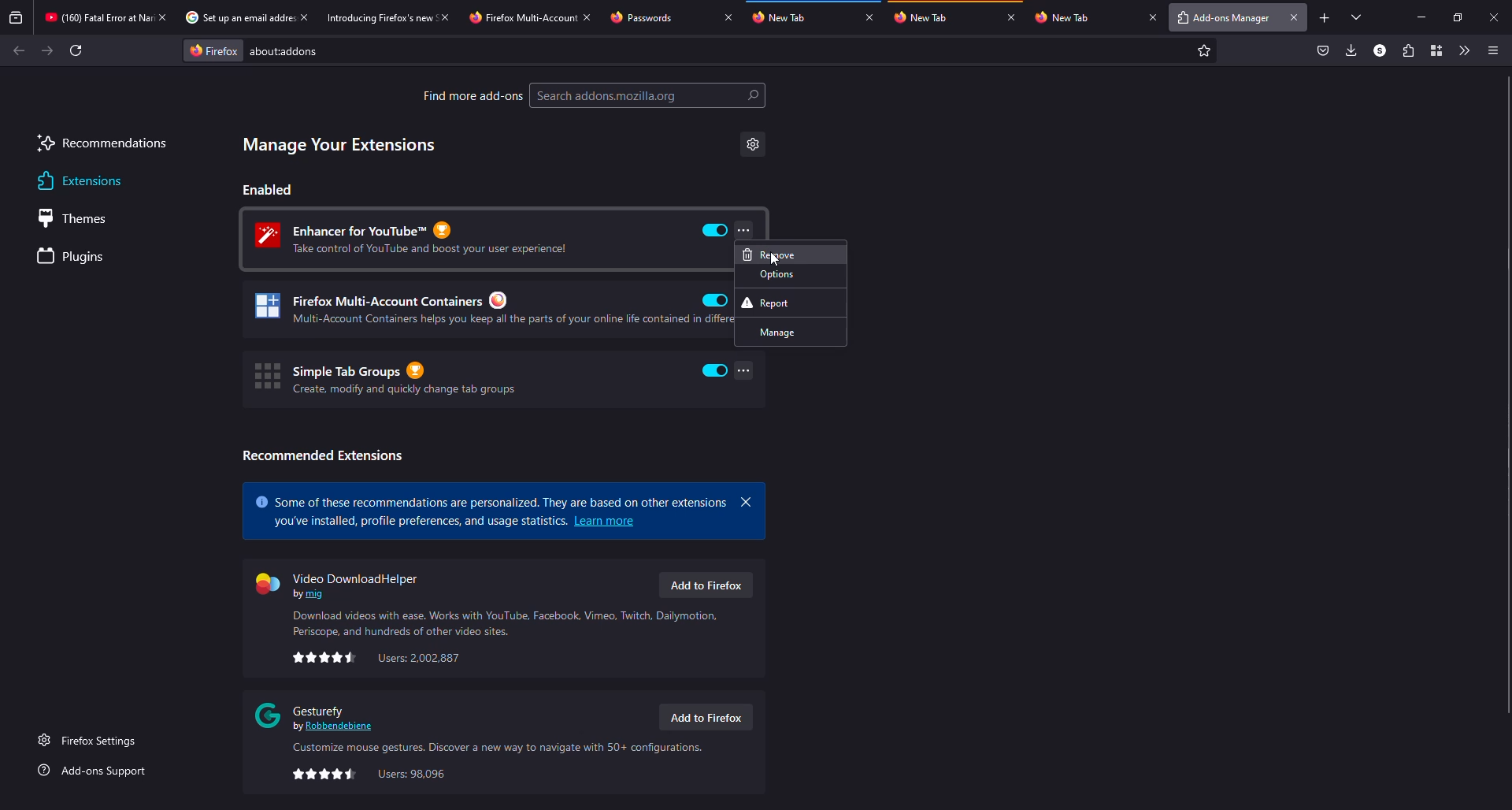  Describe the element at coordinates (587, 17) in the screenshot. I see `close` at that location.